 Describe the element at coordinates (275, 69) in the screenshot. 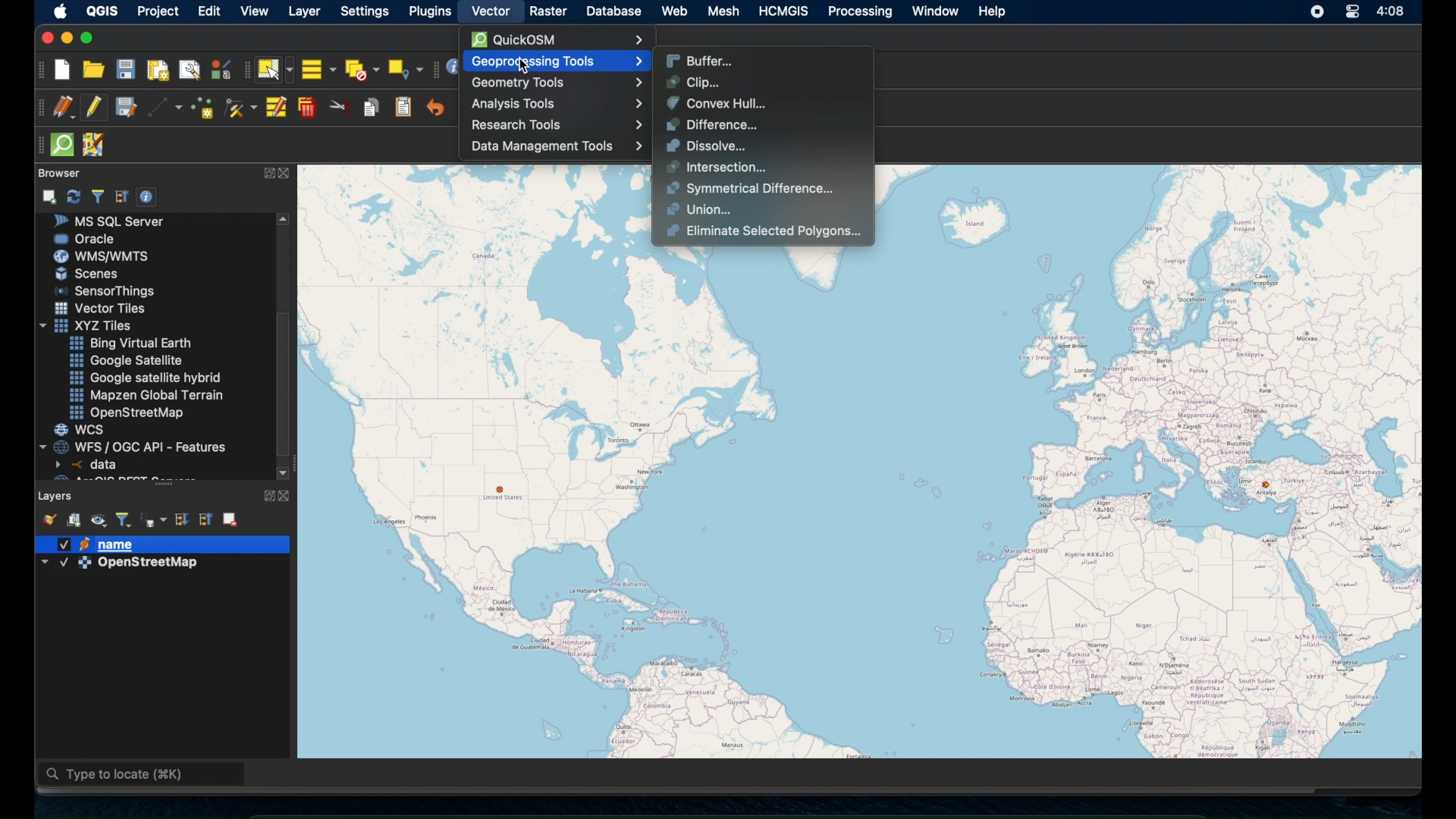

I see `select features by area or single click` at that location.